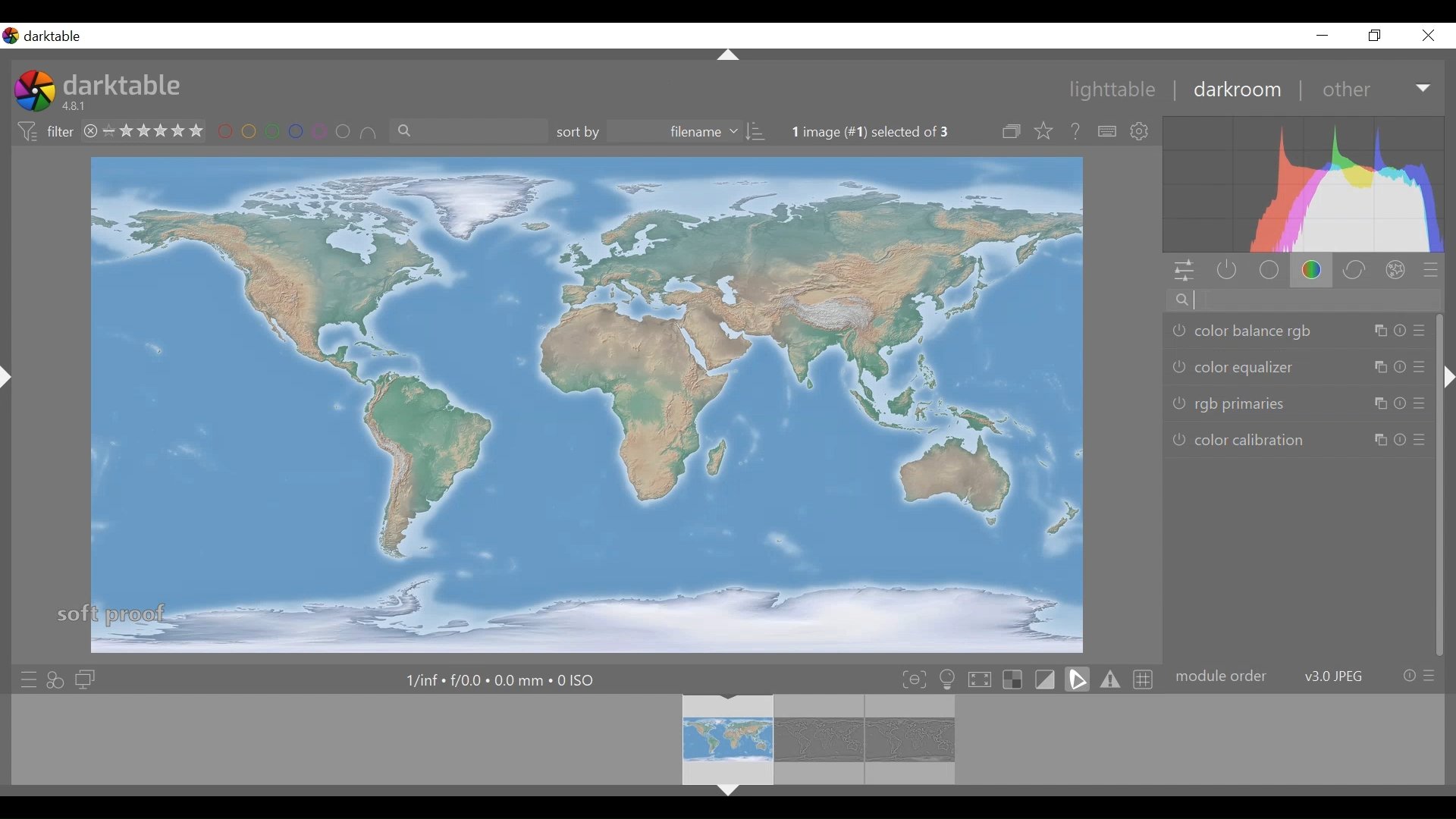 Image resolution: width=1456 pixels, height=819 pixels. What do you see at coordinates (884, 132) in the screenshot?
I see `image selected out of` at bounding box center [884, 132].